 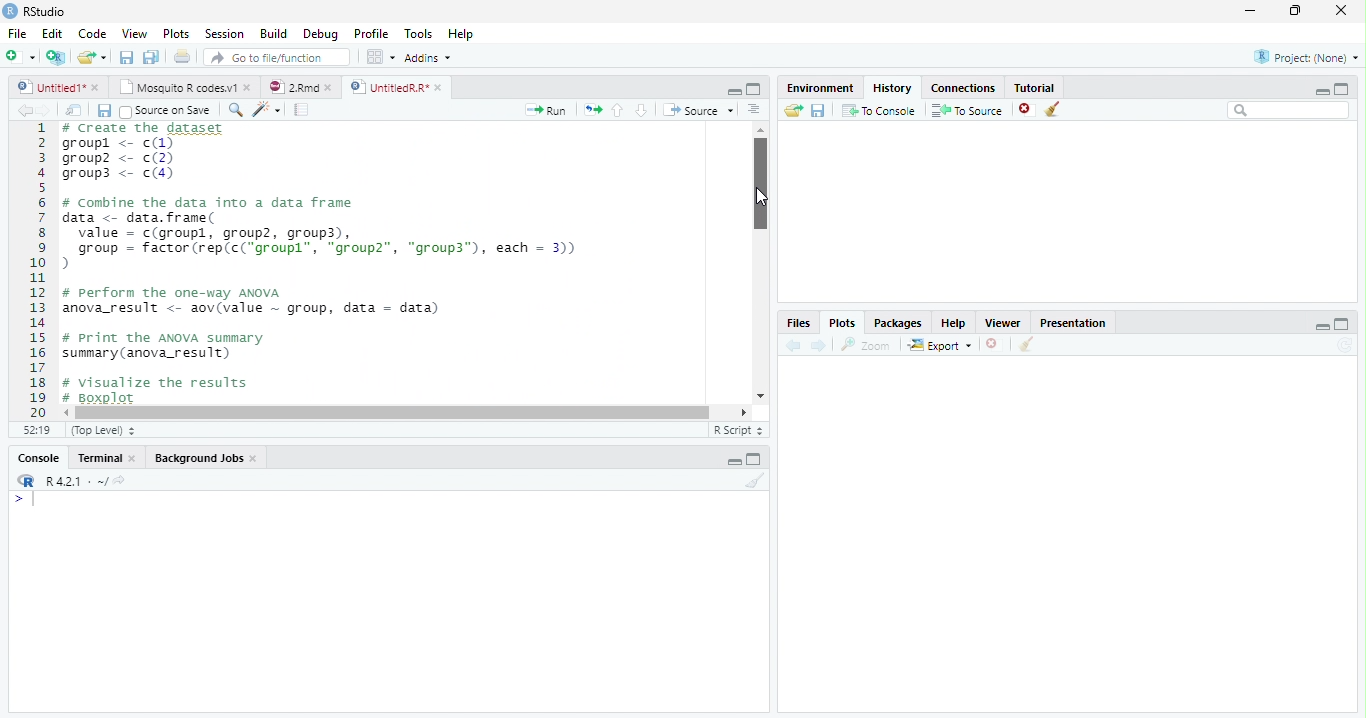 What do you see at coordinates (757, 264) in the screenshot?
I see `Scrollbar` at bounding box center [757, 264].